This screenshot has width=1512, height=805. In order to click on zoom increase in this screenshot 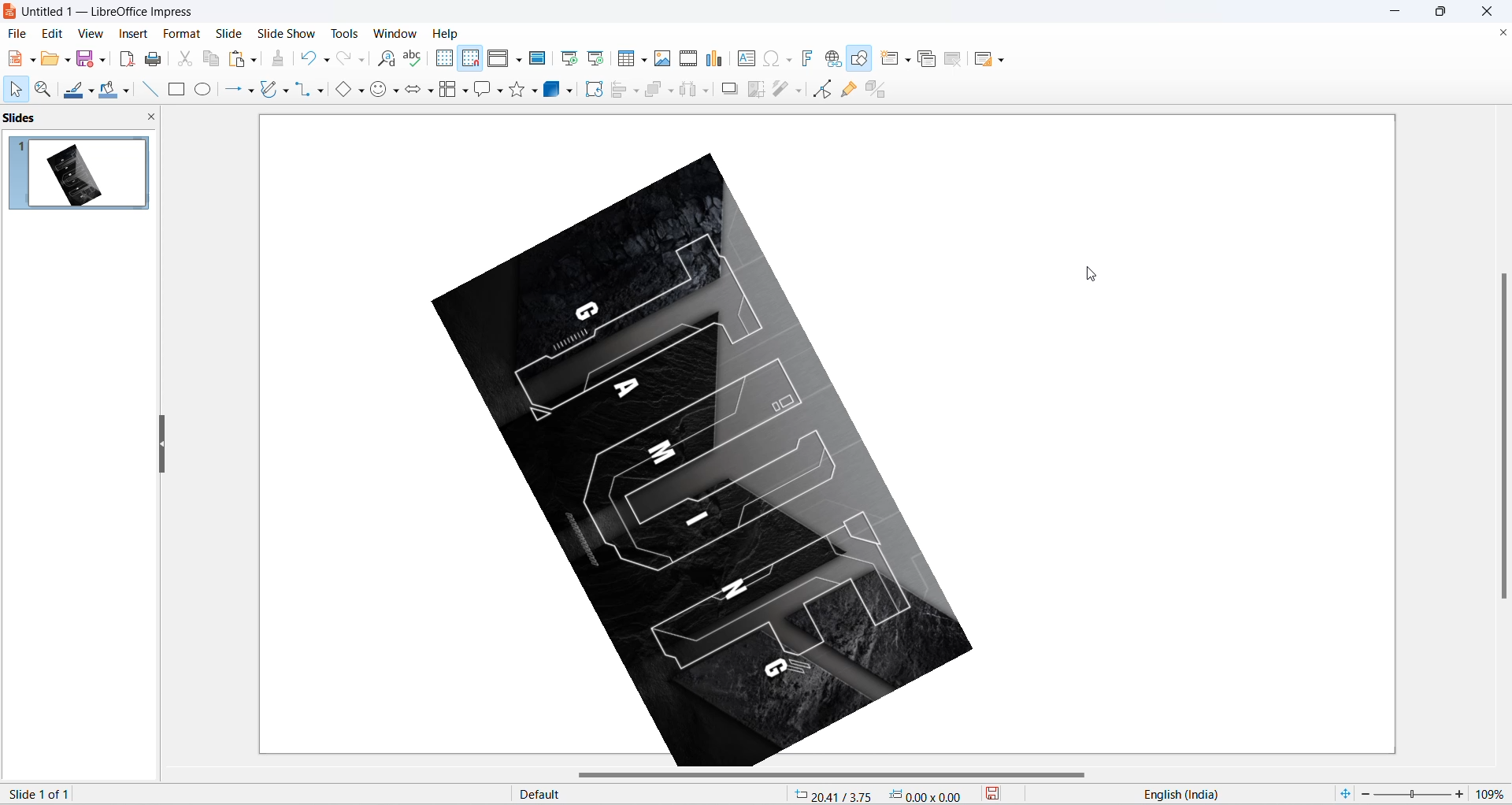, I will do `click(1462, 793)`.